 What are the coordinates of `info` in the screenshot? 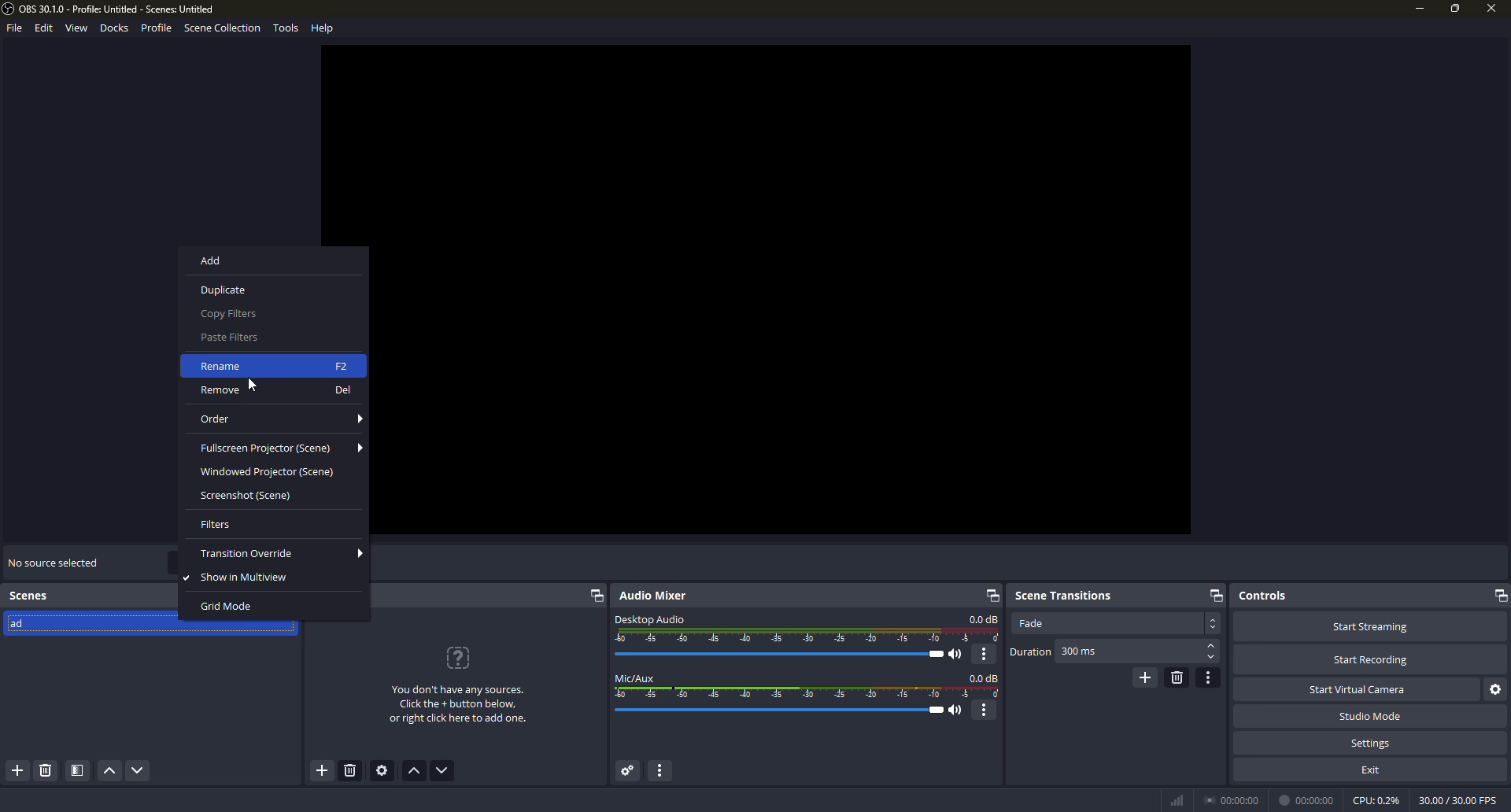 It's located at (458, 706).